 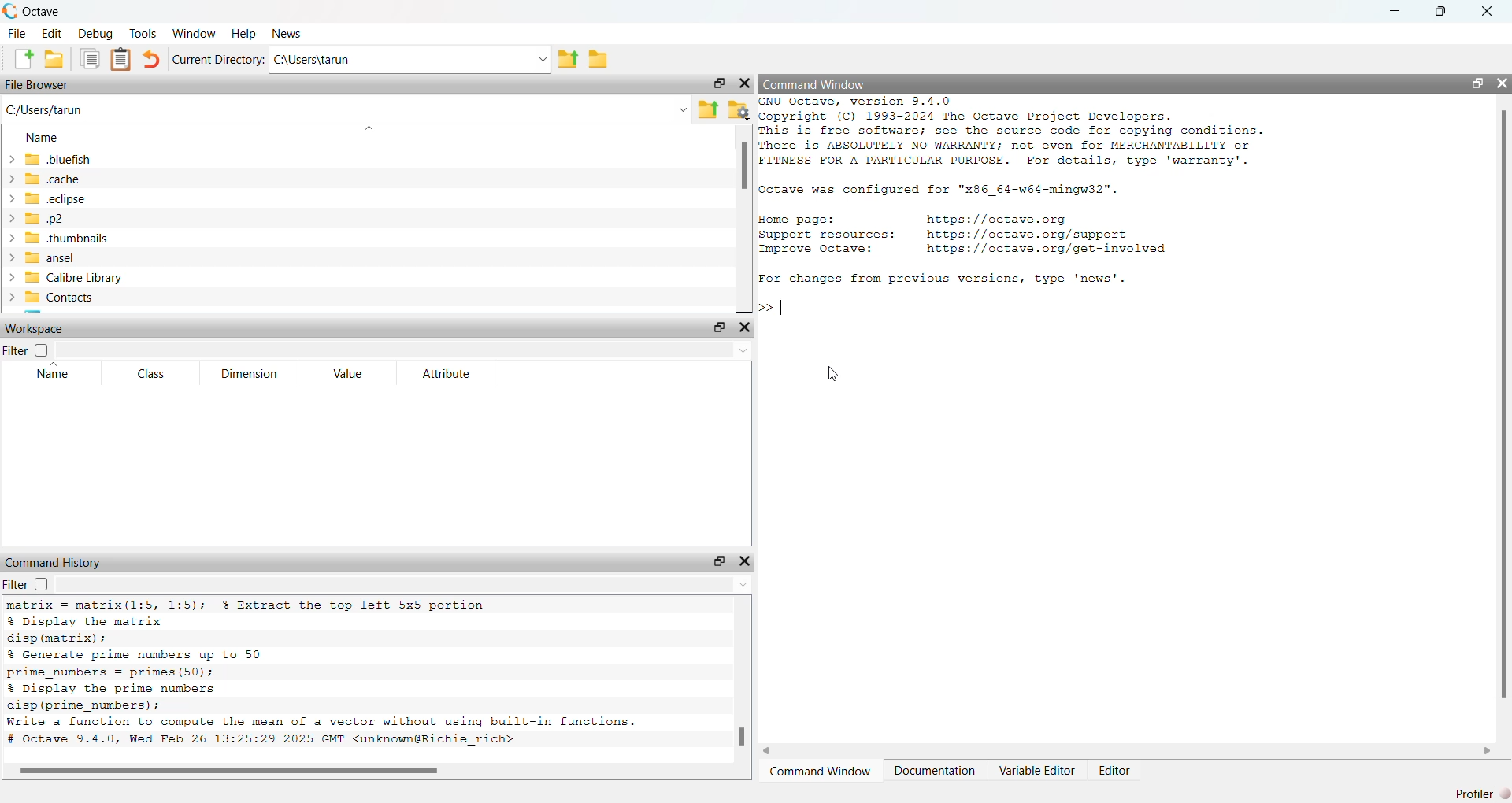 What do you see at coordinates (55, 562) in the screenshot?
I see `Command history` at bounding box center [55, 562].